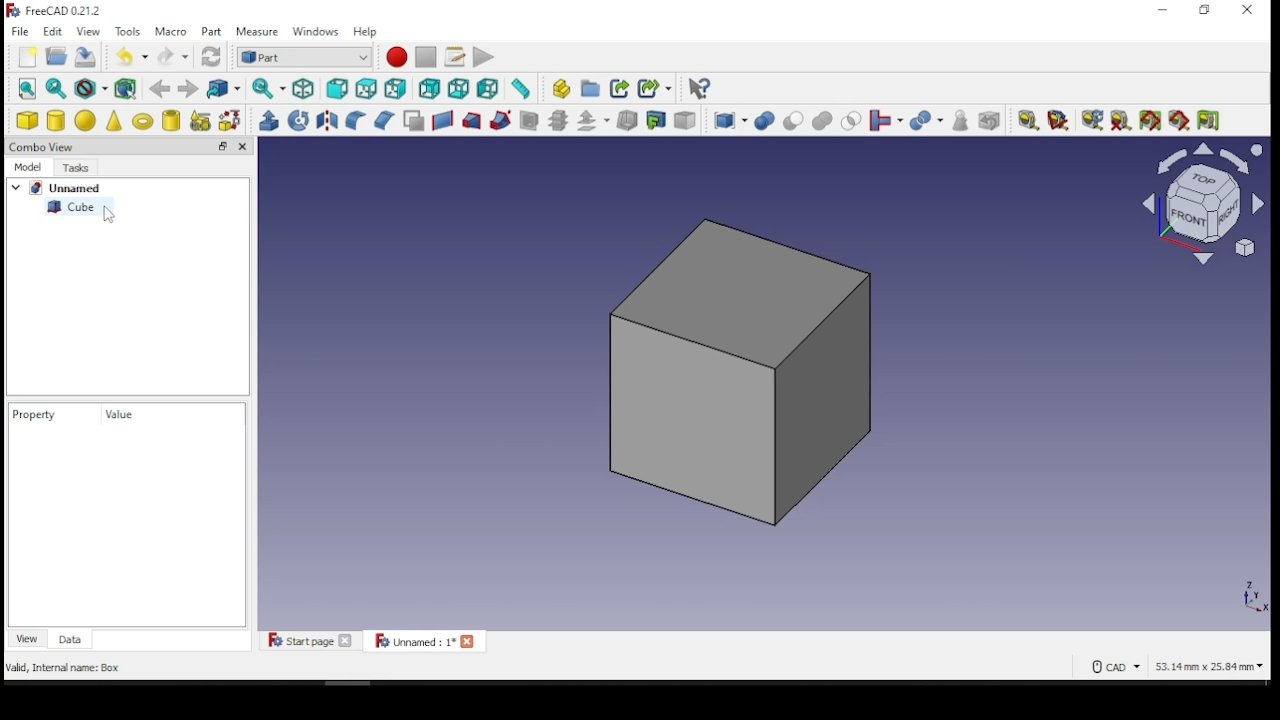 This screenshot has height=720, width=1280. Describe the element at coordinates (29, 57) in the screenshot. I see `new` at that location.